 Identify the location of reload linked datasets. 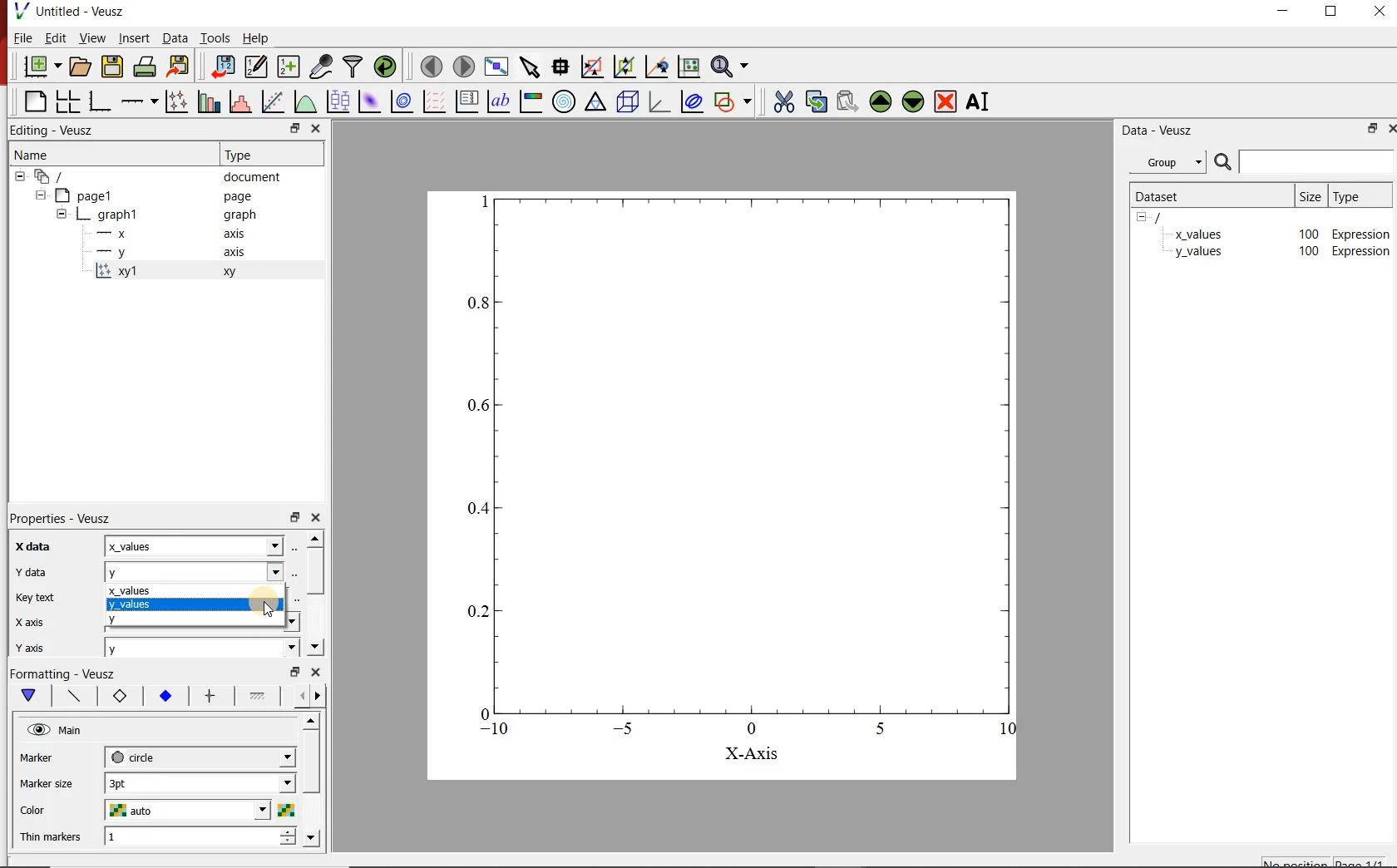
(383, 67).